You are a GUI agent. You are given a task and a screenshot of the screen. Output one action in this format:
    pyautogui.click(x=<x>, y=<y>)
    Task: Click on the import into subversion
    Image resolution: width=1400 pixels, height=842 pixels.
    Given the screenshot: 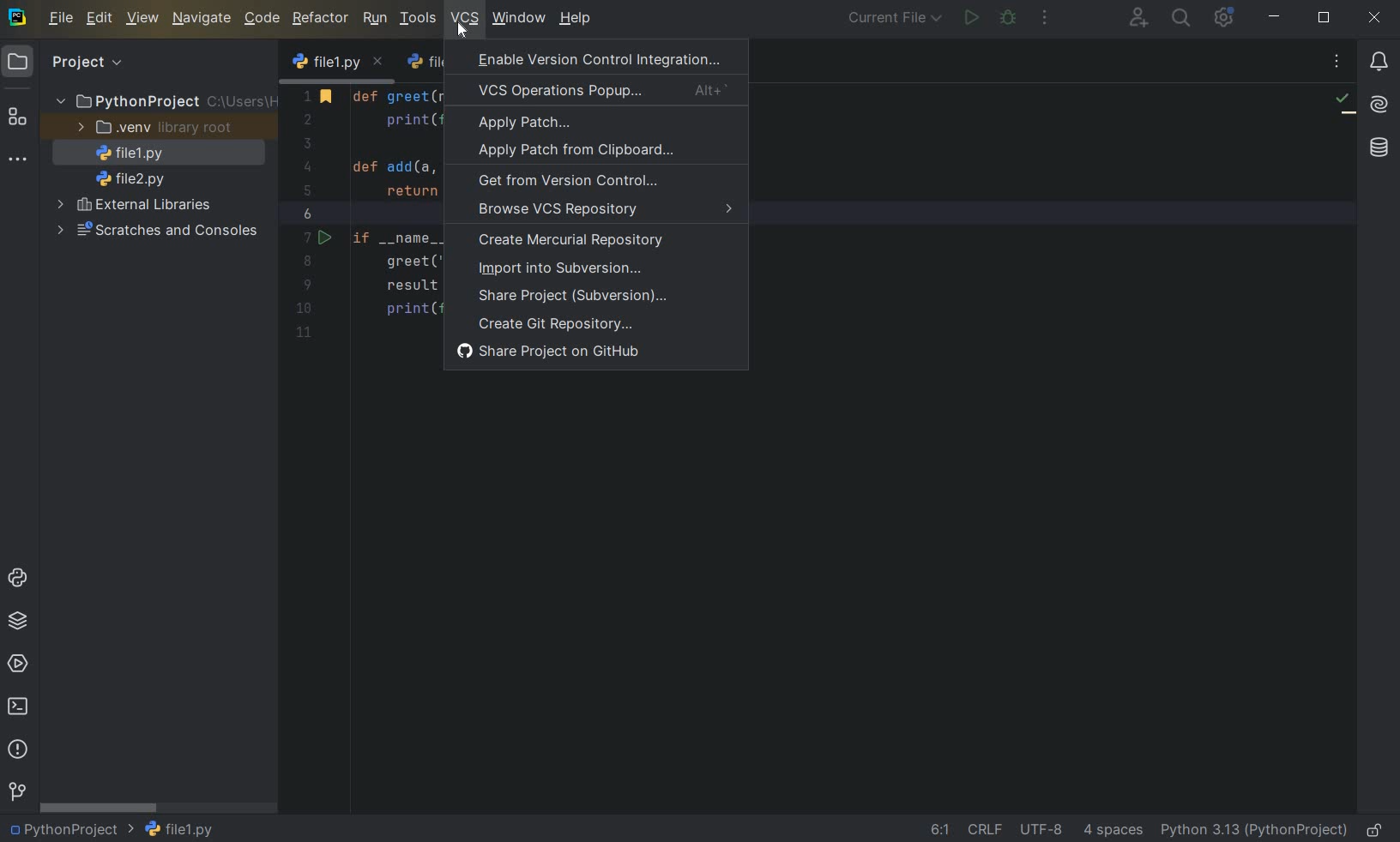 What is the action you would take?
    pyautogui.click(x=576, y=270)
    